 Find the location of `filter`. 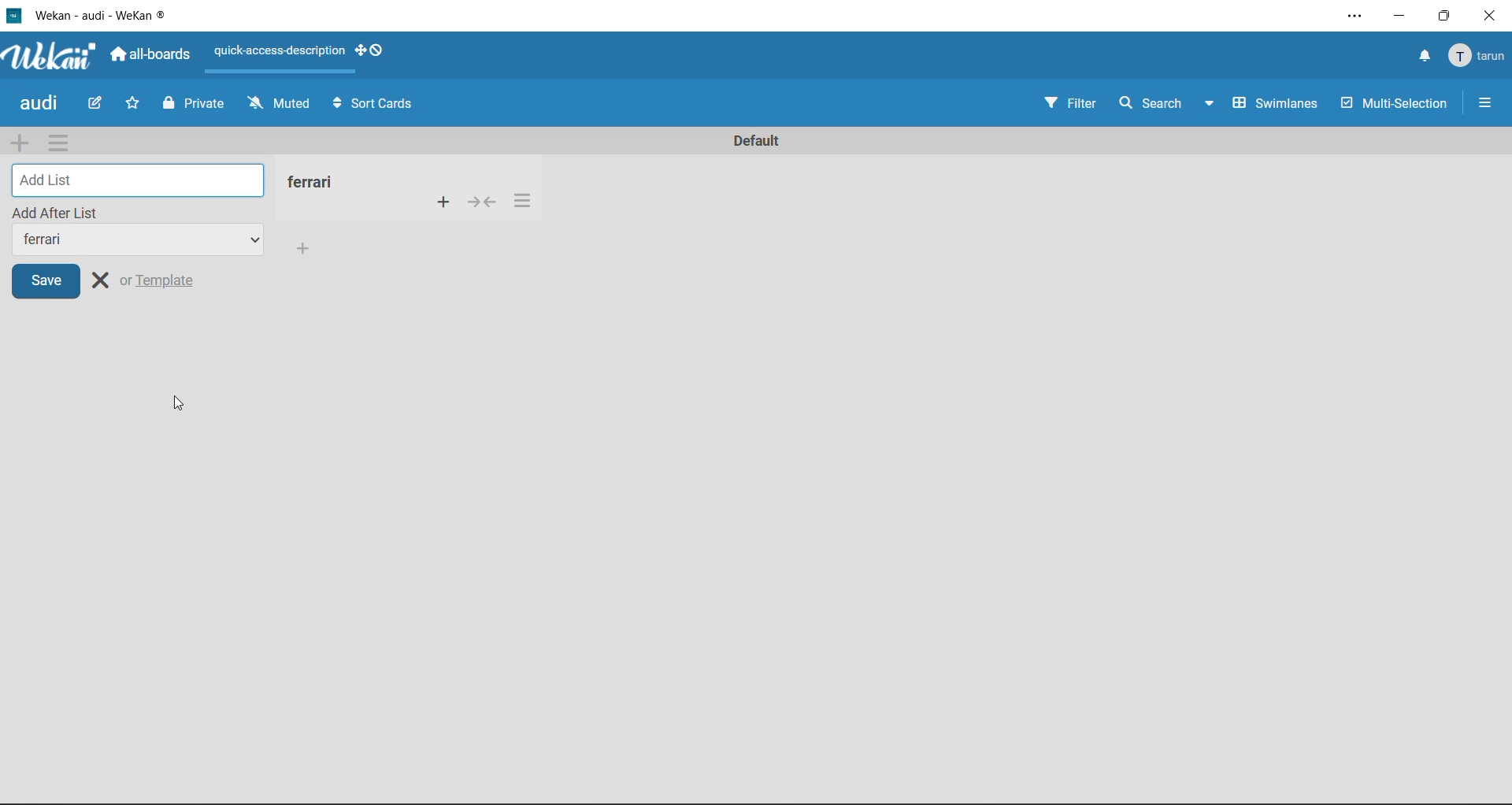

filter is located at coordinates (1073, 105).